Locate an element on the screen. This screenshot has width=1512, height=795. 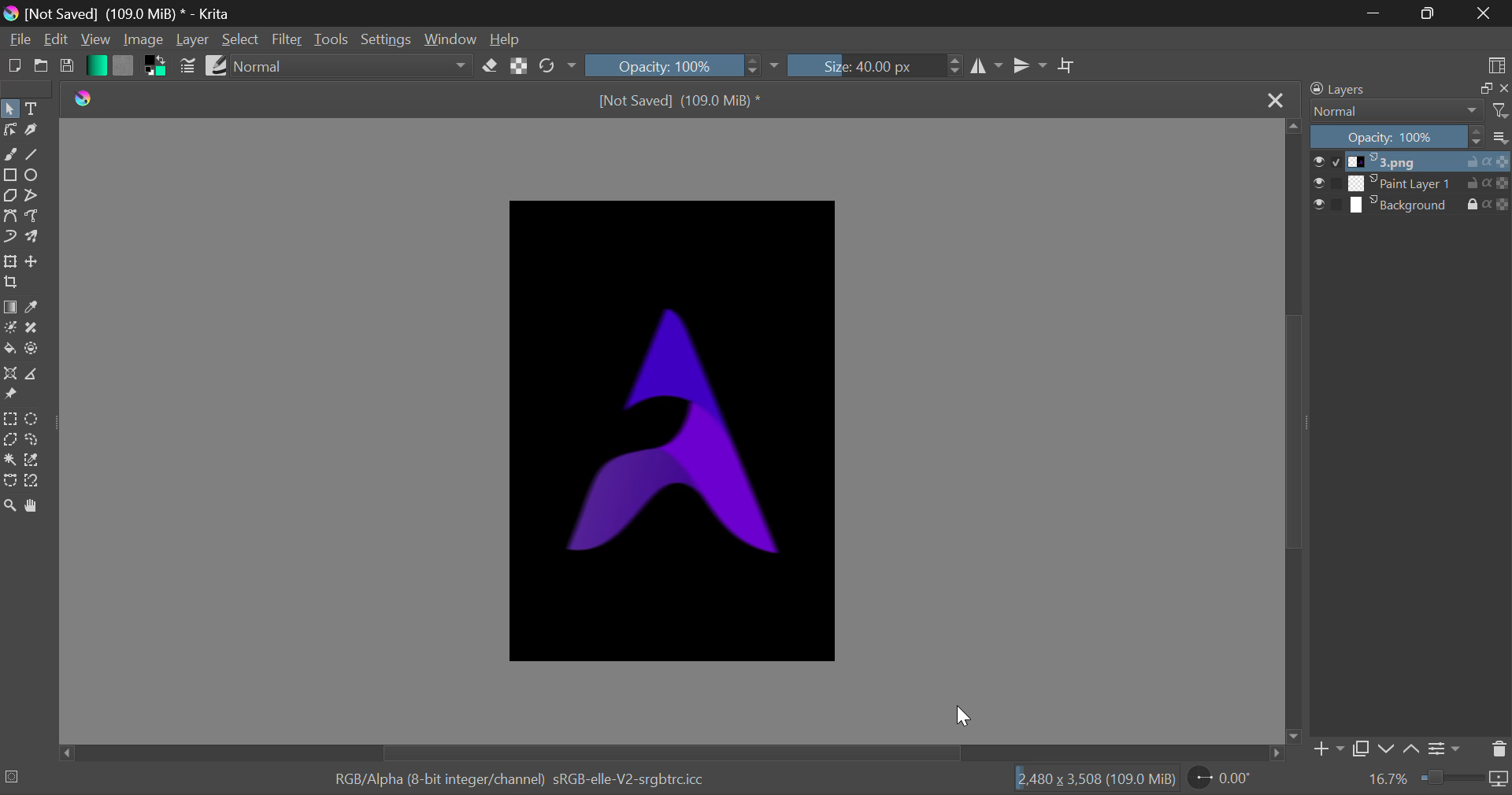
Rectangle is located at coordinates (9, 174).